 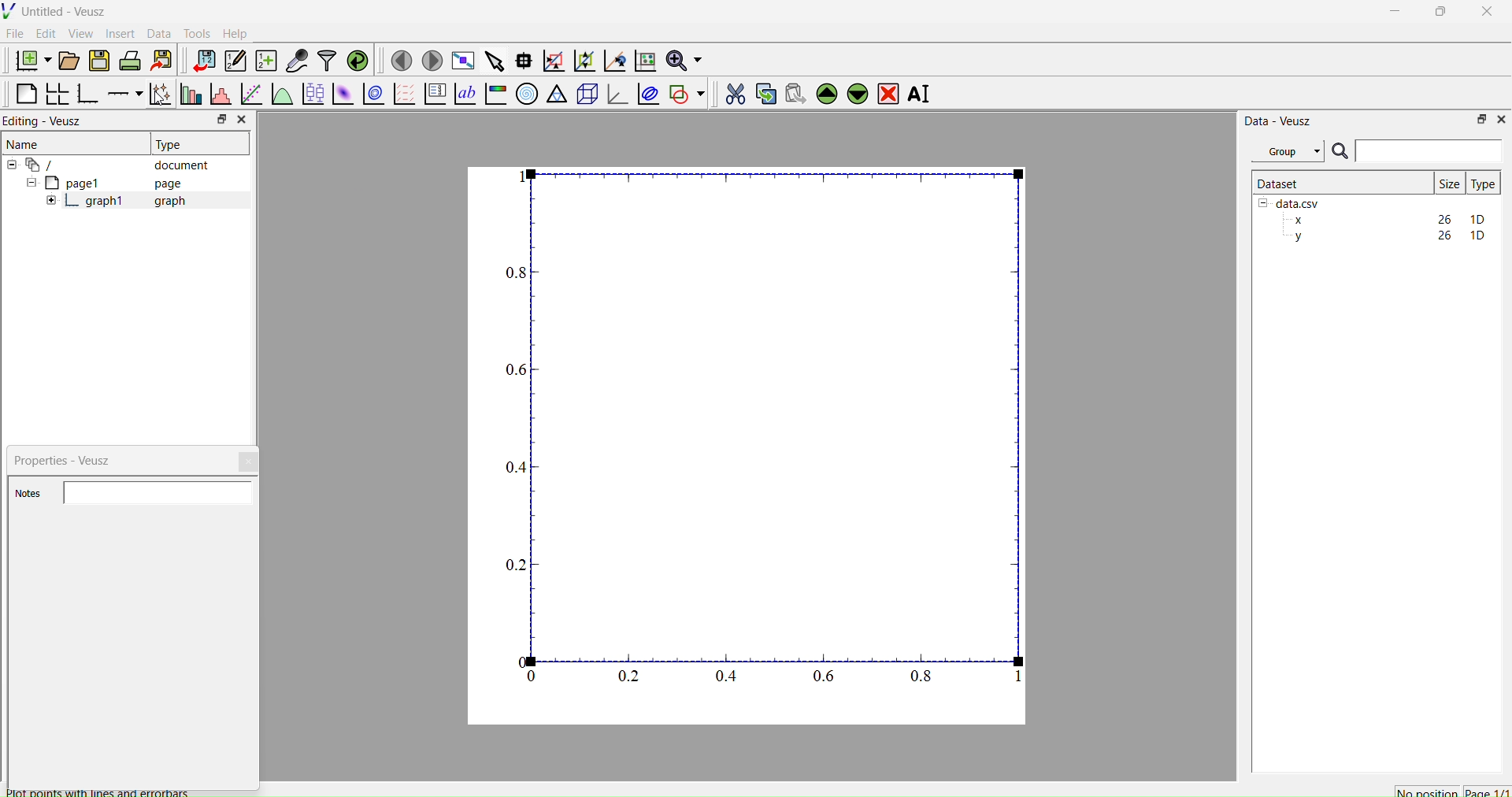 What do you see at coordinates (171, 144) in the screenshot?
I see `Type` at bounding box center [171, 144].